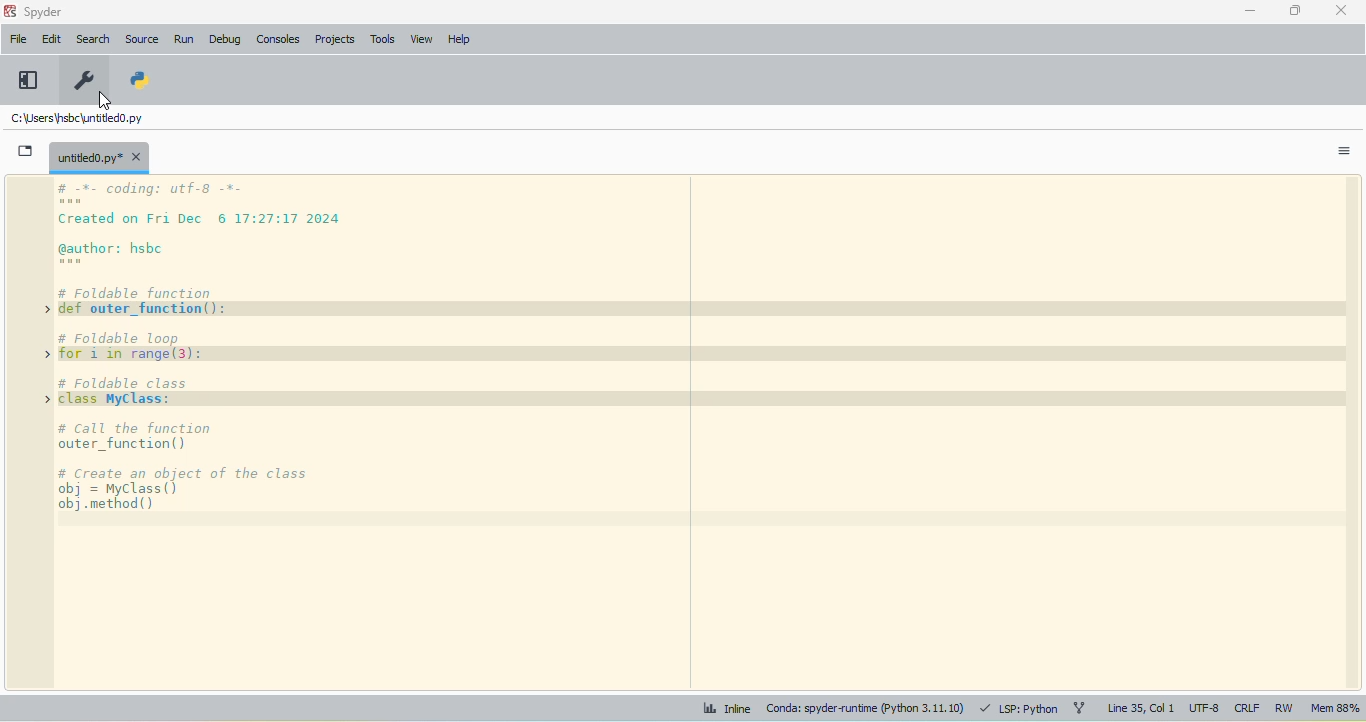 The image size is (1366, 722). What do you see at coordinates (50, 38) in the screenshot?
I see `edit` at bounding box center [50, 38].